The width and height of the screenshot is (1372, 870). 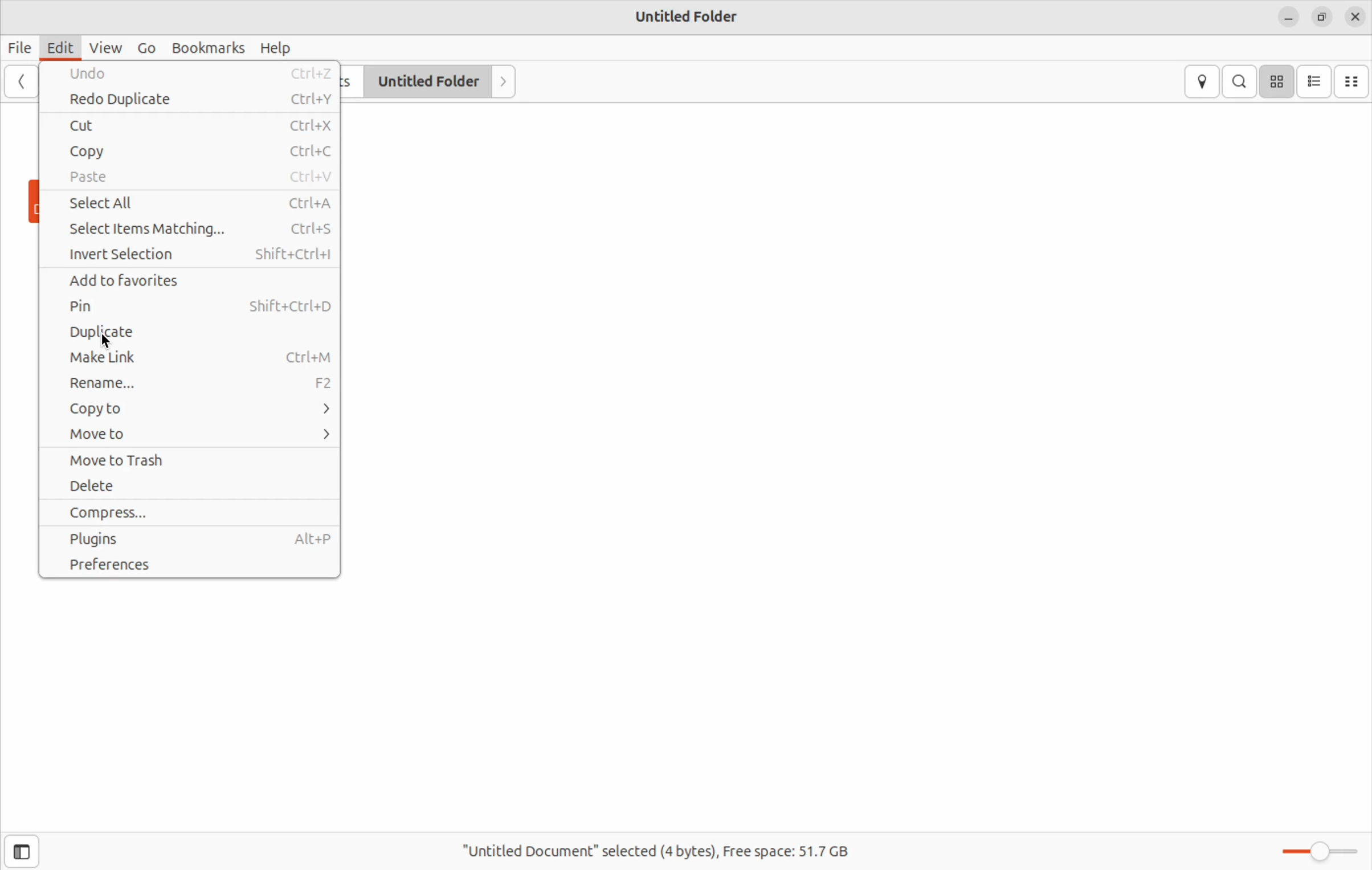 I want to click on copy, so click(x=1322, y=19).